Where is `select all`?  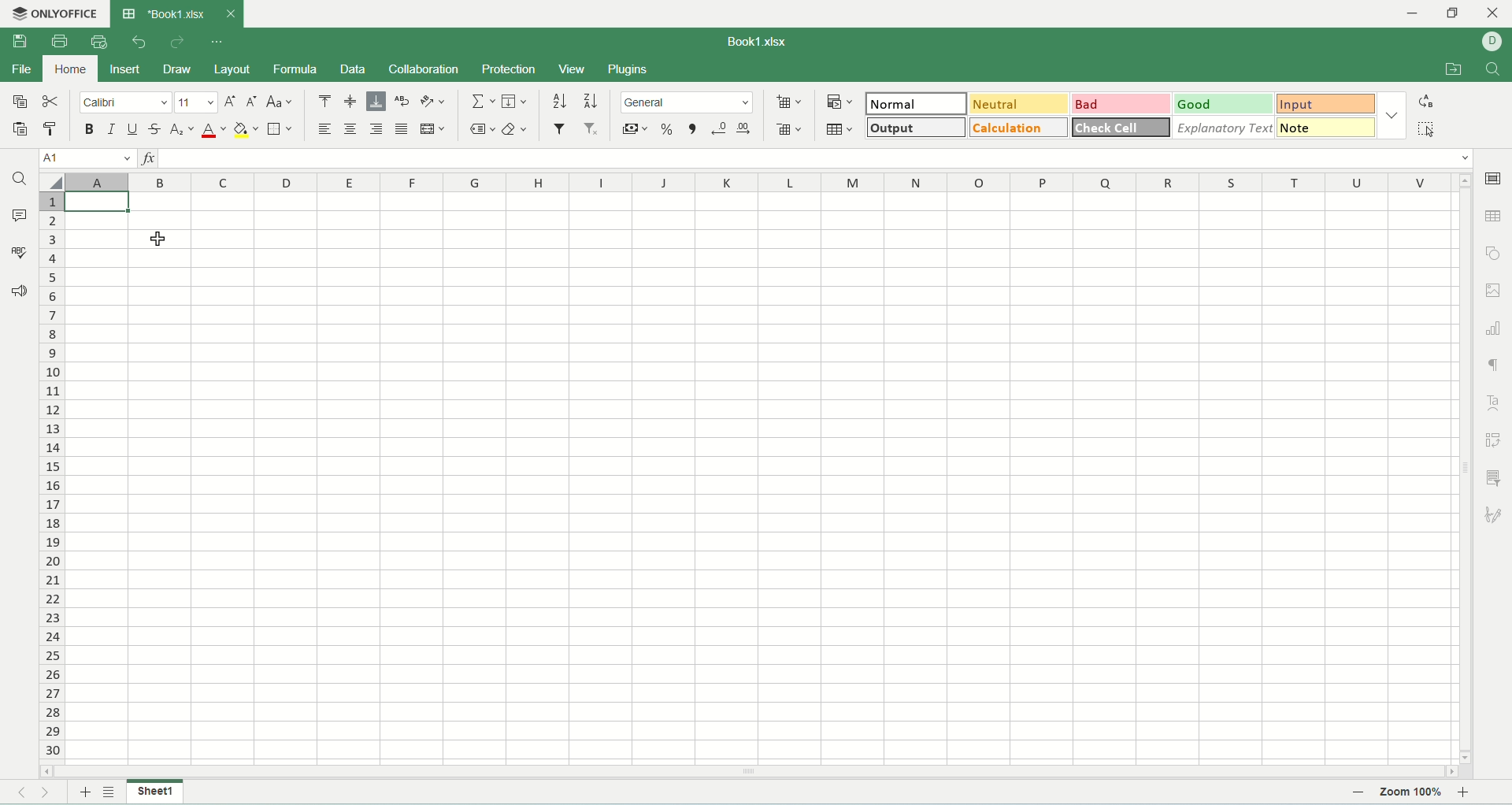
select all is located at coordinates (53, 183).